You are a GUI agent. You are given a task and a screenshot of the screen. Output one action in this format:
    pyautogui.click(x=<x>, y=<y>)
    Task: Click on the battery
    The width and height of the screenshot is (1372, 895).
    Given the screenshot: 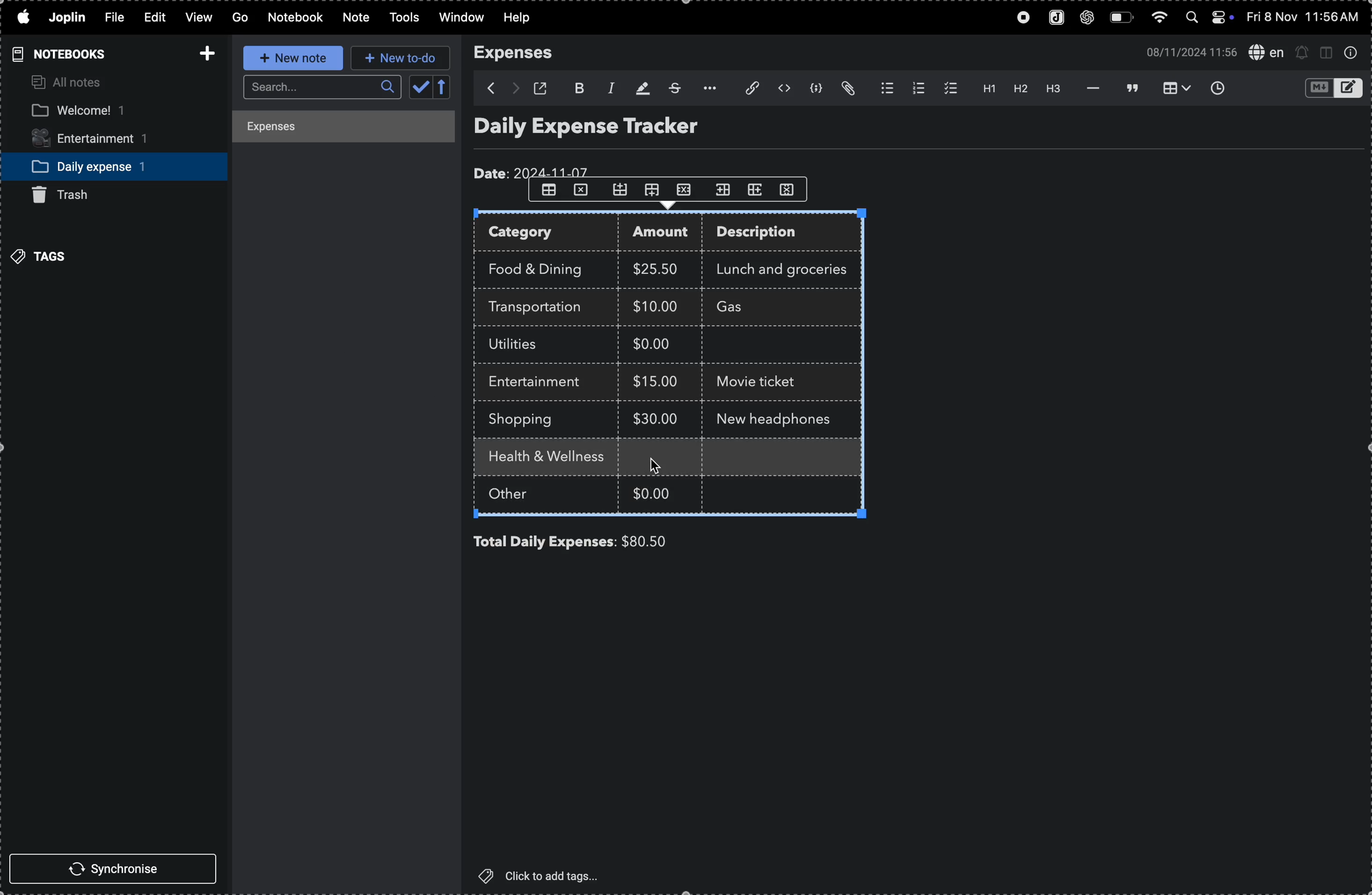 What is the action you would take?
    pyautogui.click(x=1121, y=18)
    